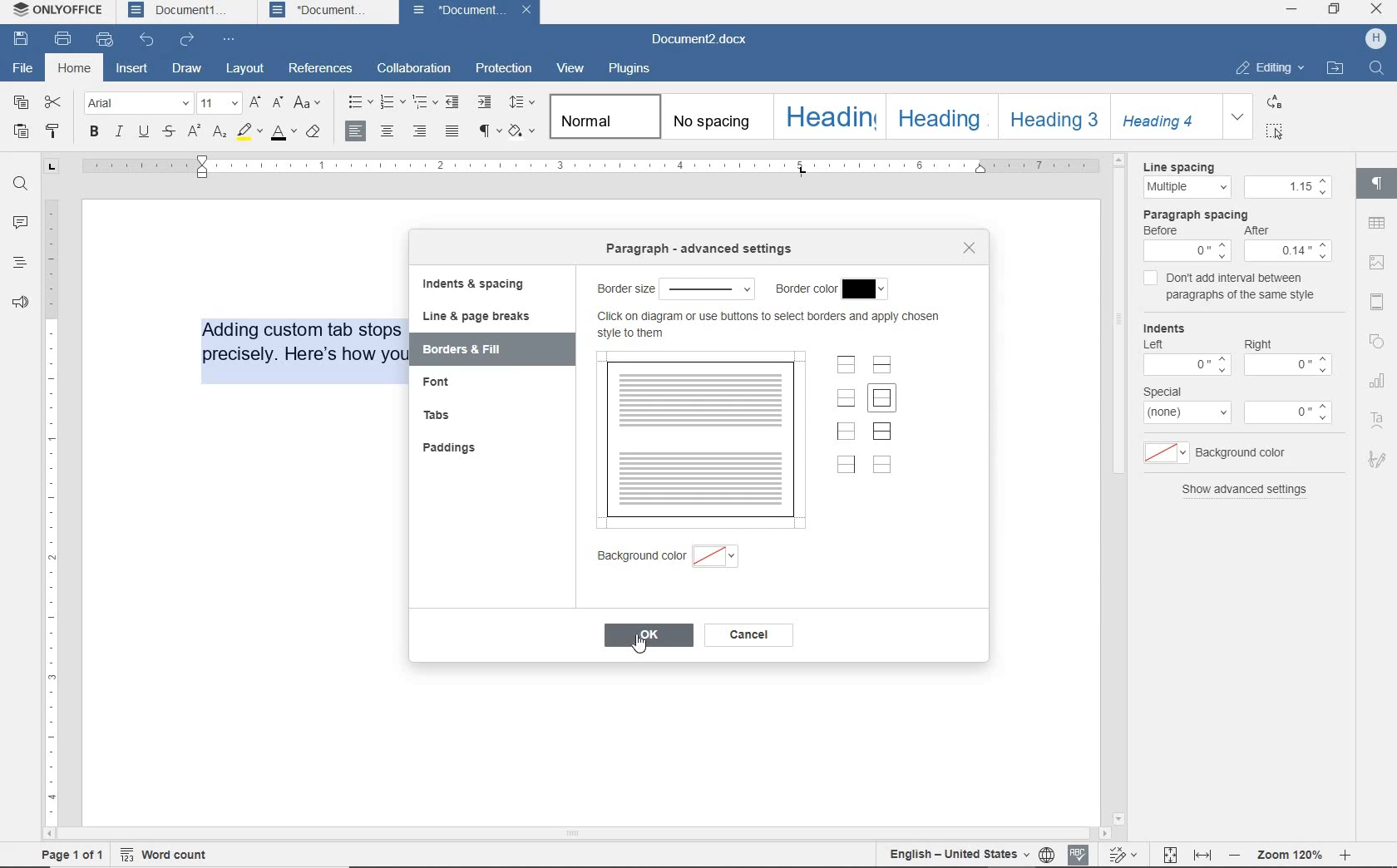 The image size is (1397, 868). I want to click on align right, so click(358, 131).